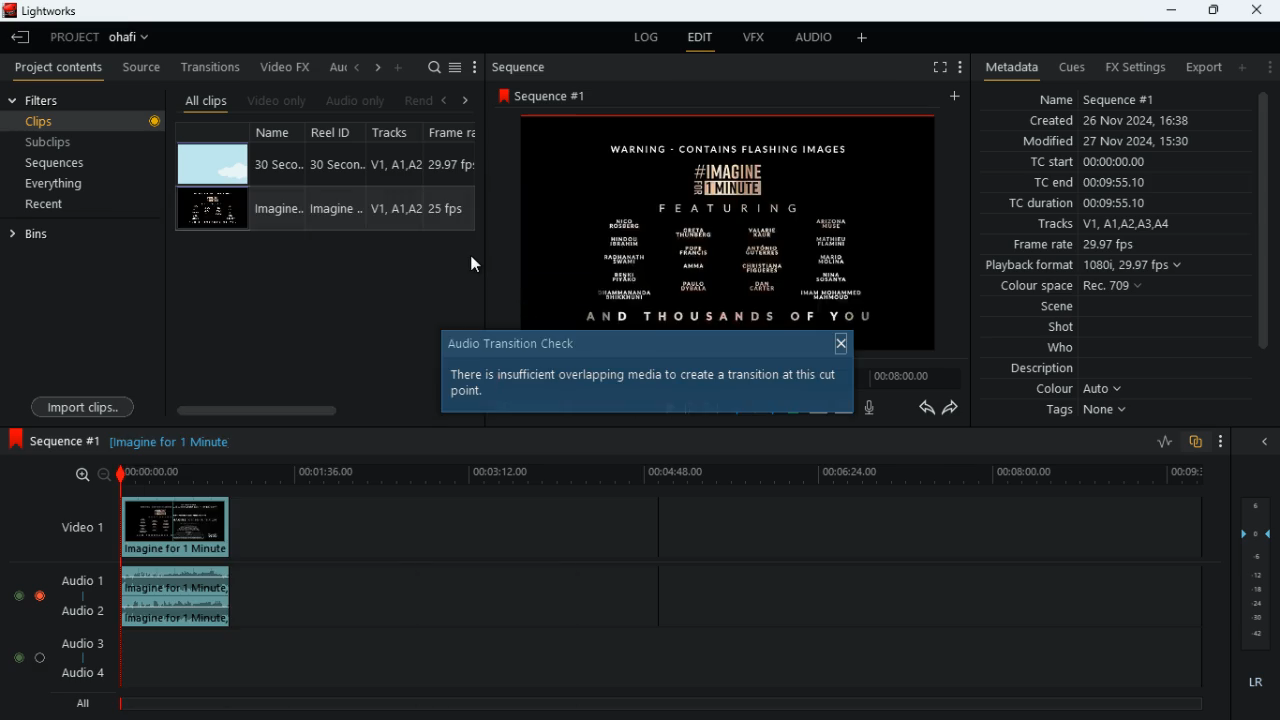  What do you see at coordinates (57, 163) in the screenshot?
I see `sequences` at bounding box center [57, 163].